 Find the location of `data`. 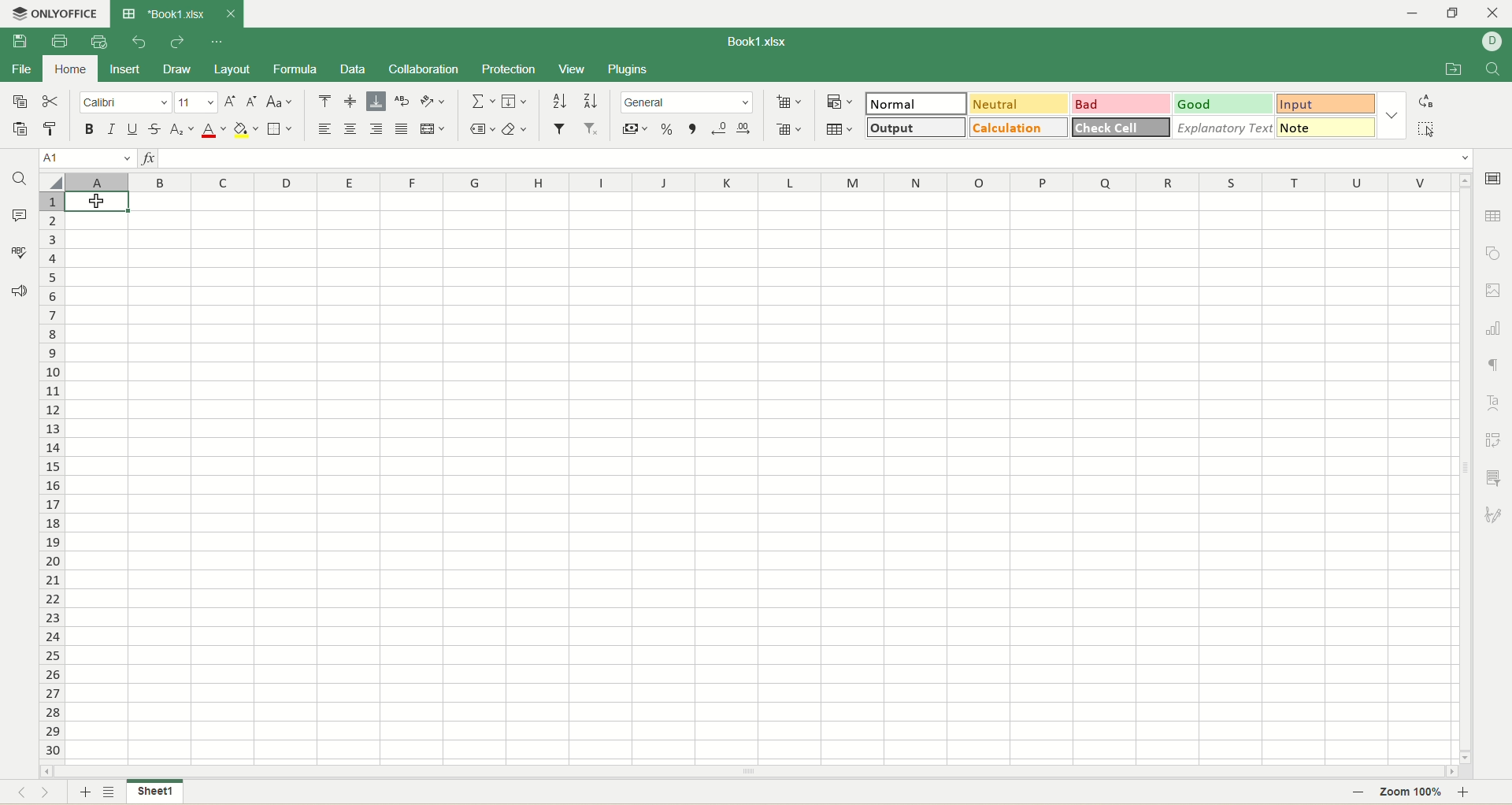

data is located at coordinates (351, 71).